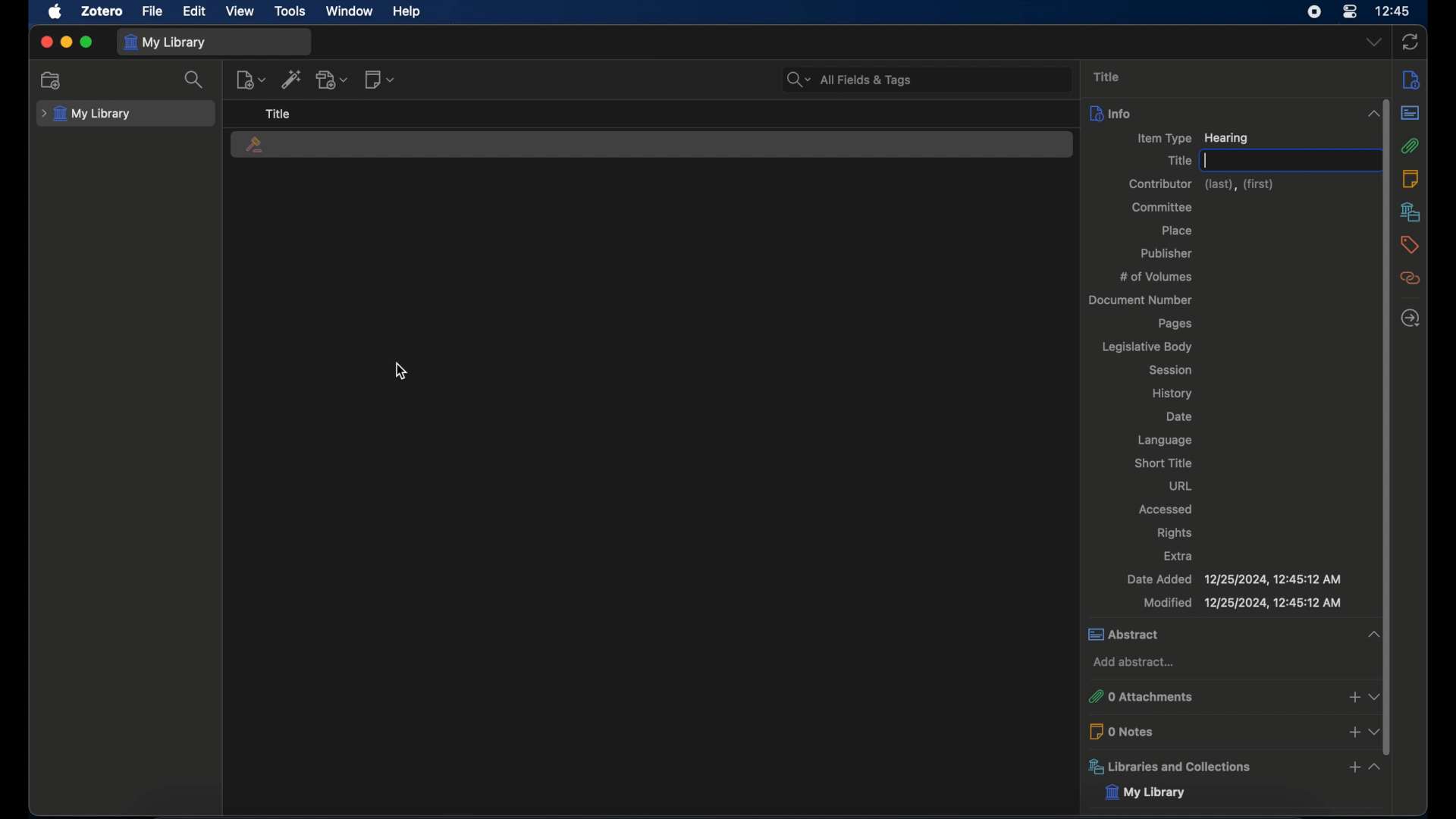 Image resolution: width=1456 pixels, height=819 pixels. I want to click on tools, so click(290, 11).